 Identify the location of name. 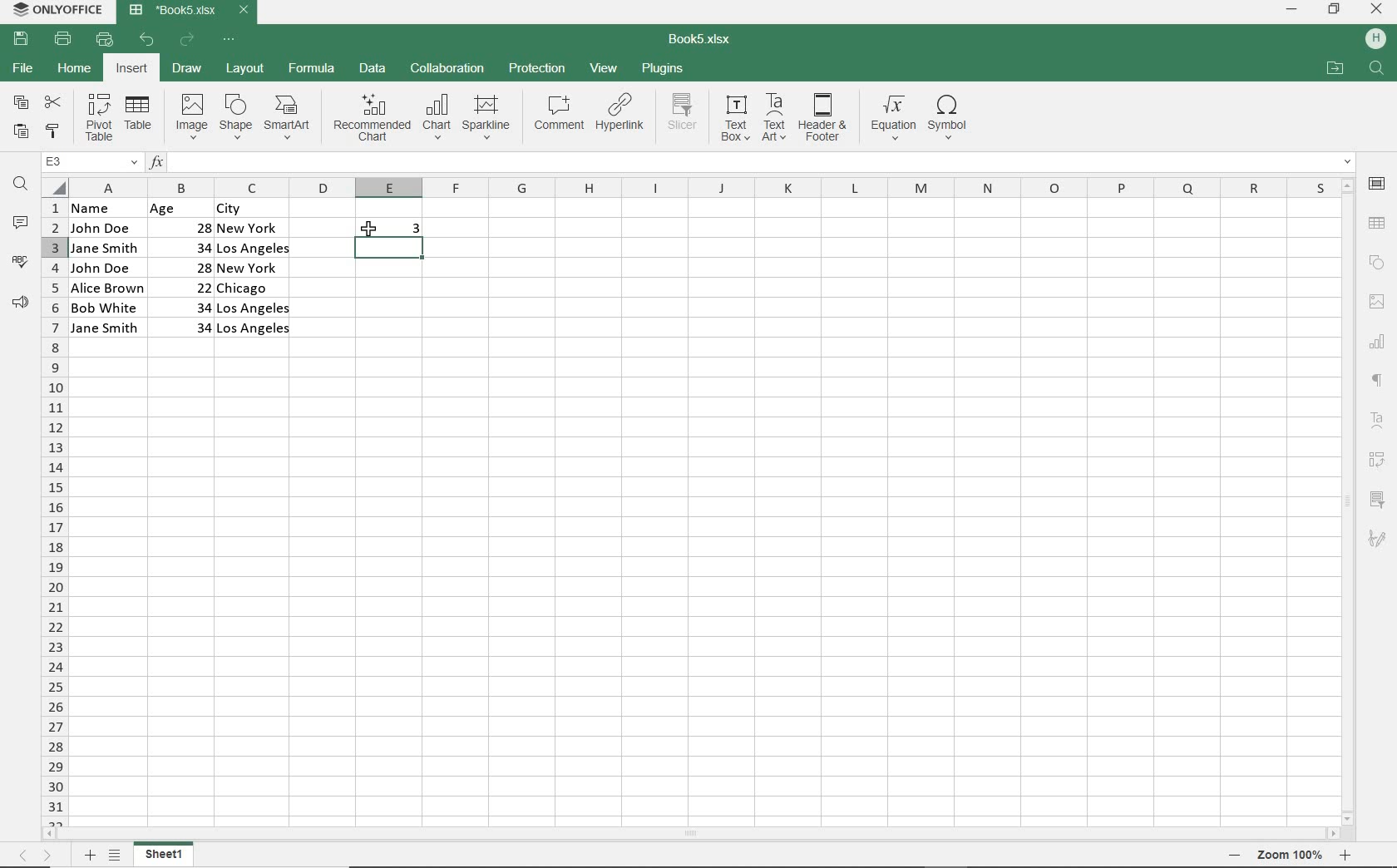
(100, 209).